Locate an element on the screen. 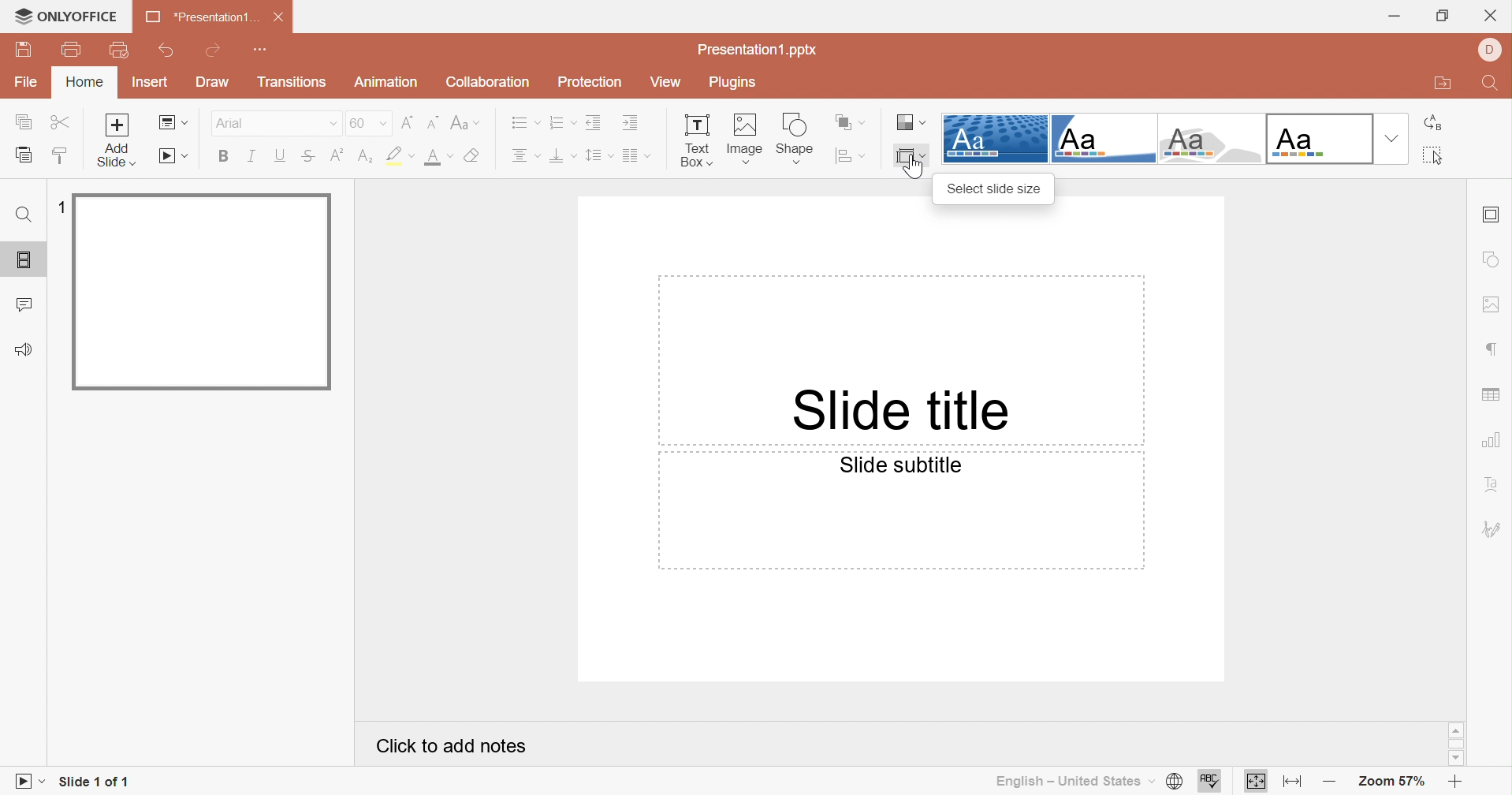 This screenshot has height=795, width=1512. Increase indent is located at coordinates (630, 121).